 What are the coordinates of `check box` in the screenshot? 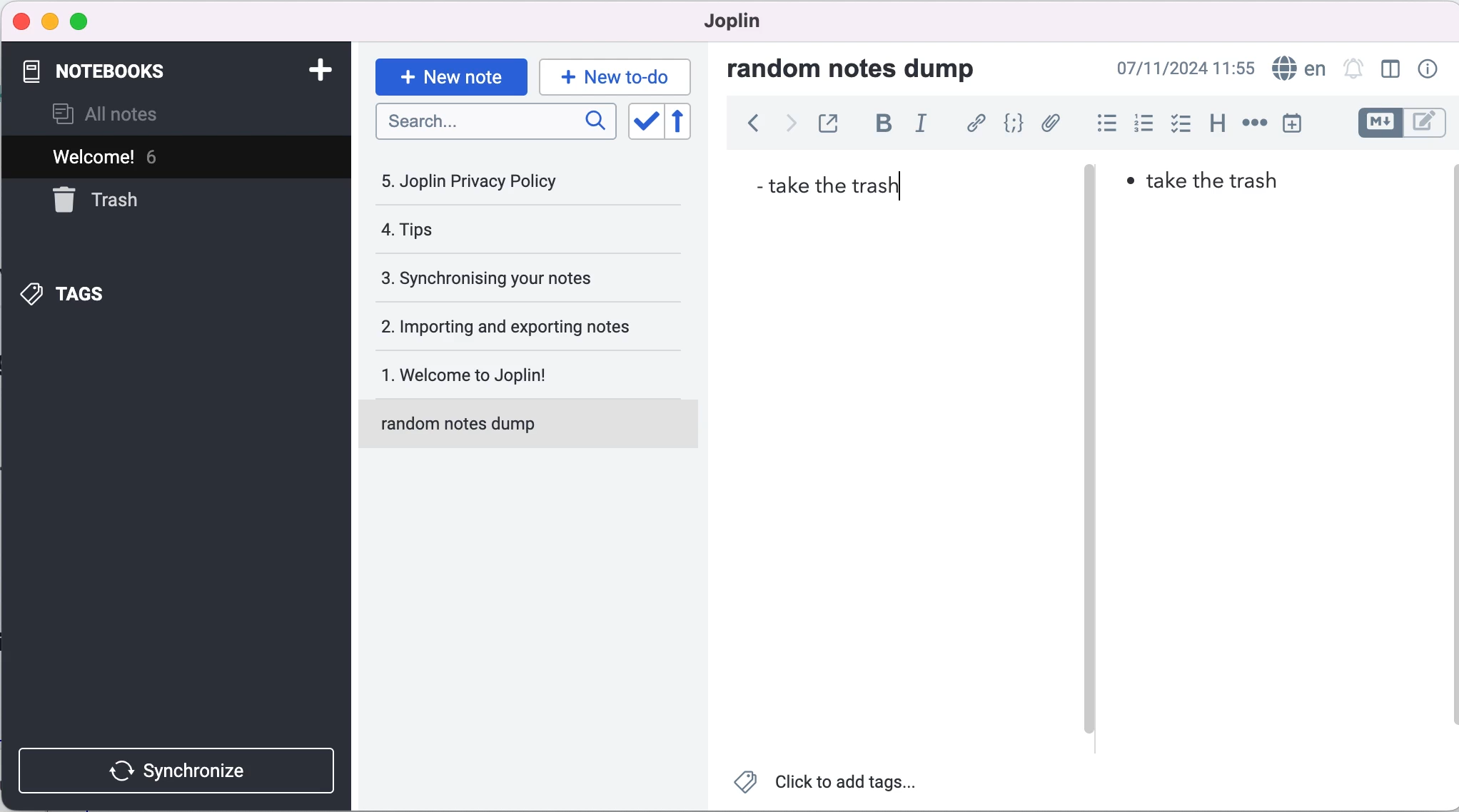 It's located at (1177, 123).